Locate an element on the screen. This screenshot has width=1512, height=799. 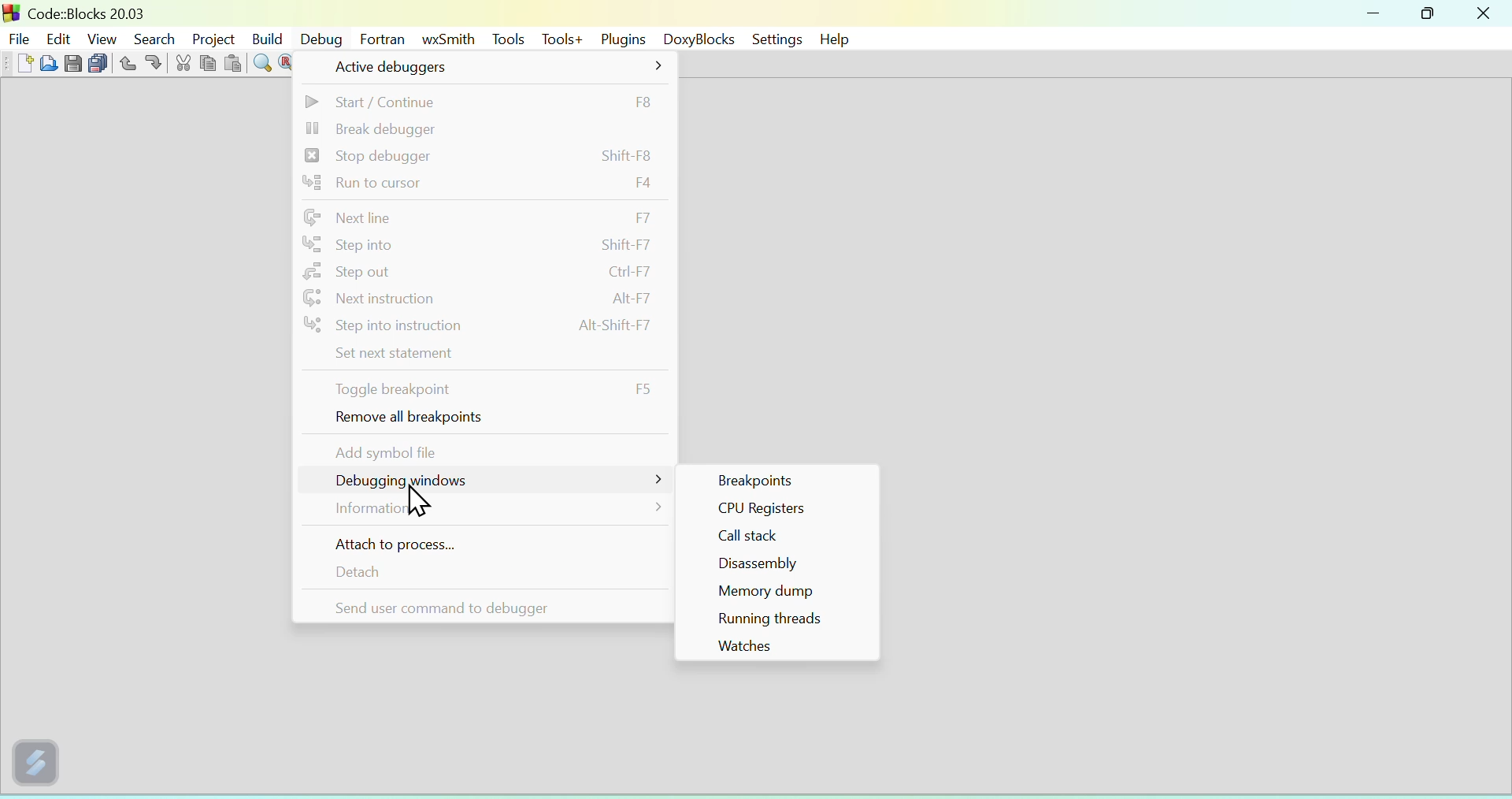
detach  is located at coordinates (480, 572).